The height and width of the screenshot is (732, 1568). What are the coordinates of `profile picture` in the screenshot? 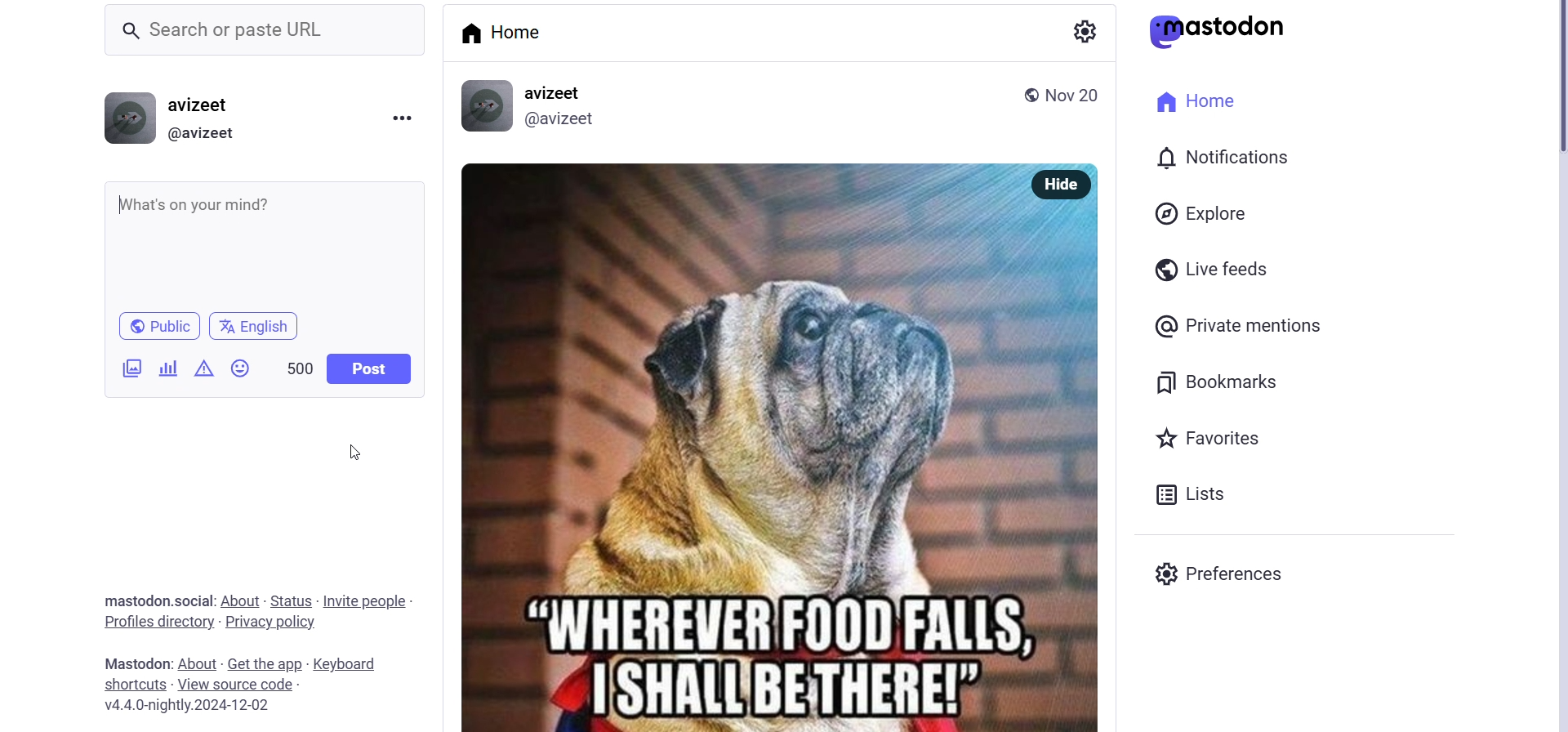 It's located at (484, 105).